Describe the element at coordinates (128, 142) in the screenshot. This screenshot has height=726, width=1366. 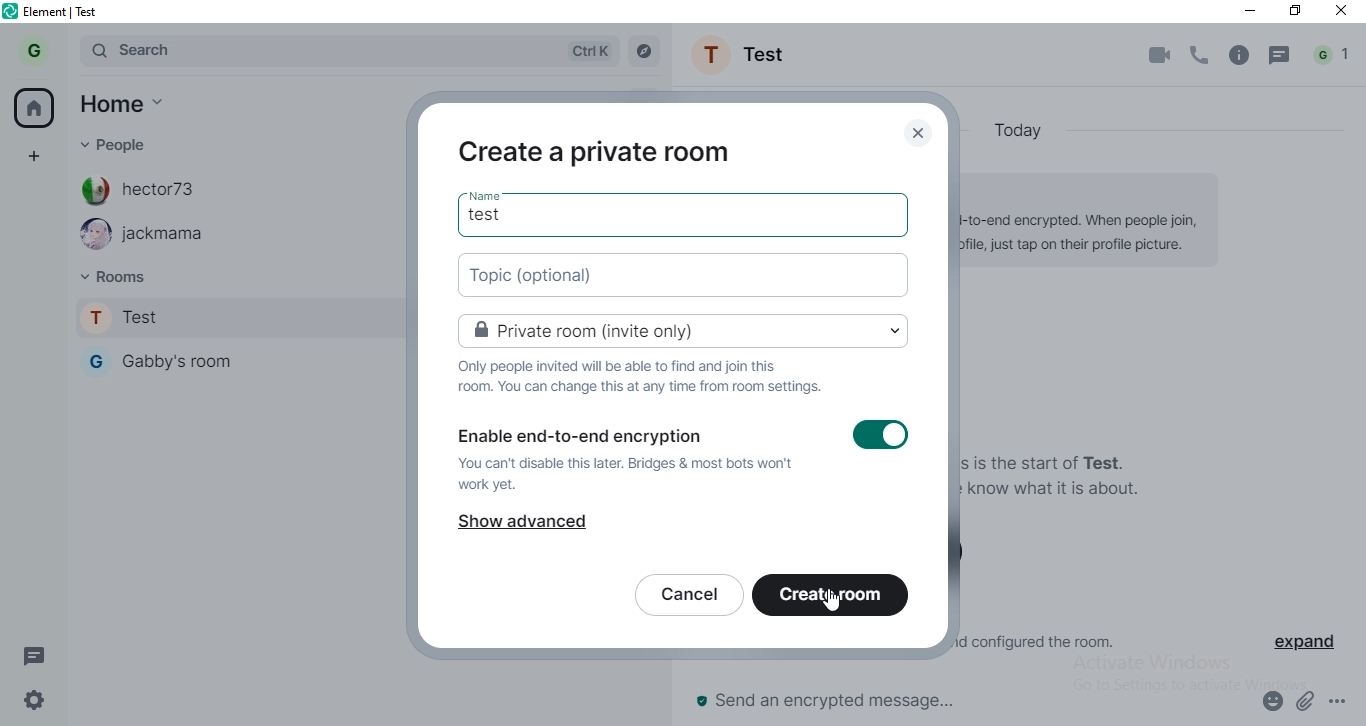
I see `people` at that location.